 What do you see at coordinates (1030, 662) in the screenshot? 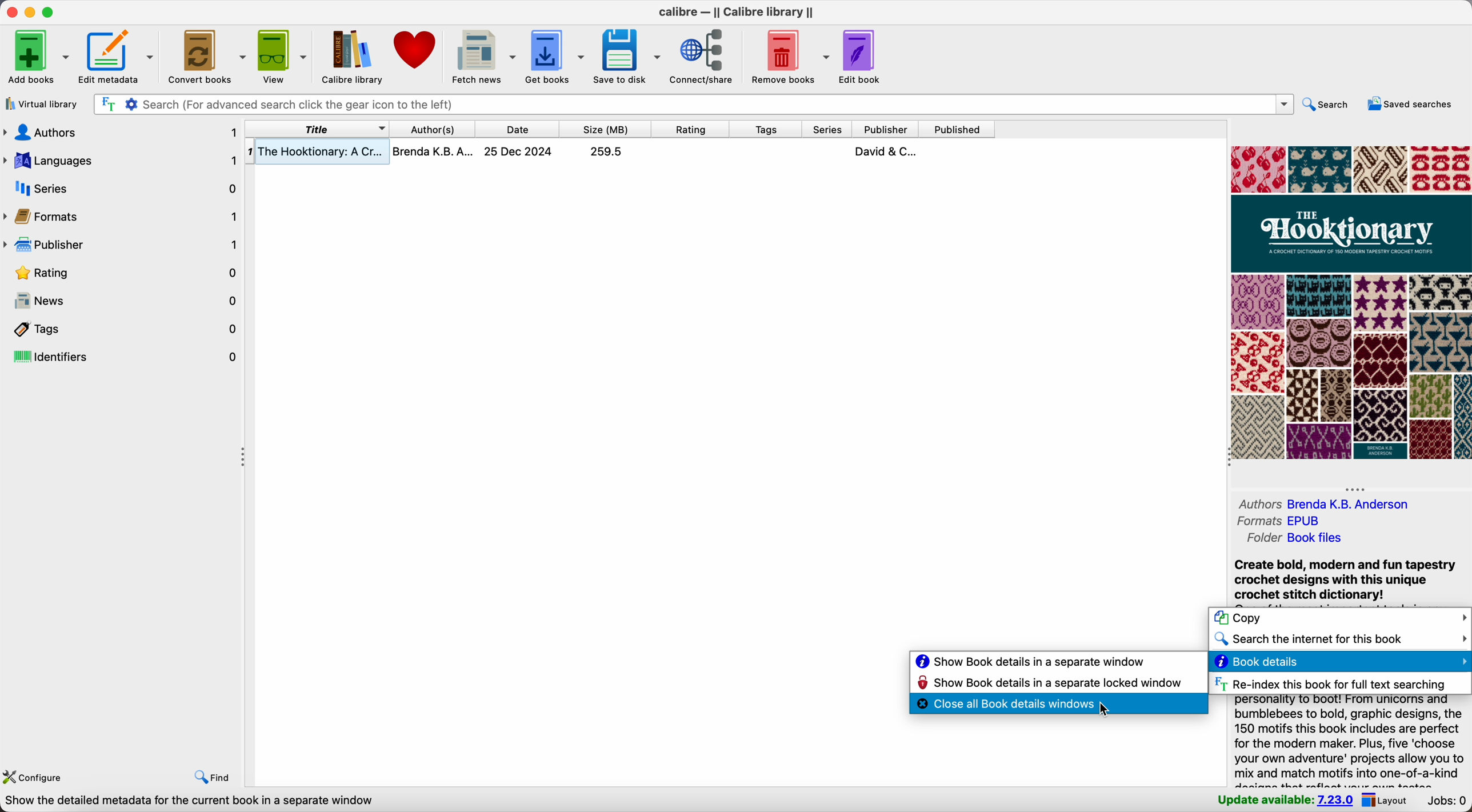
I see `show book details in a separate window` at bounding box center [1030, 662].